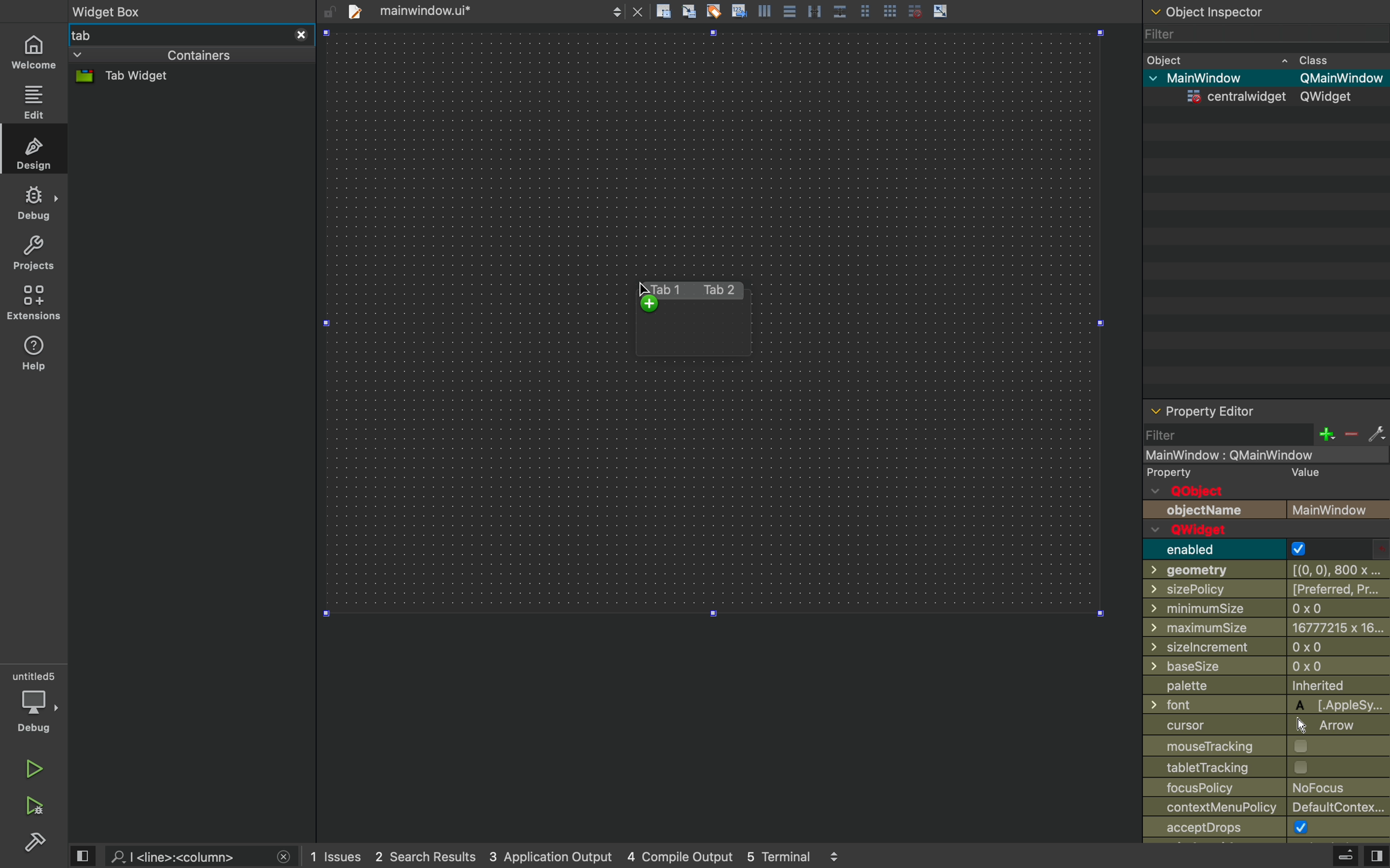 This screenshot has height=868, width=1390. What do you see at coordinates (175, 34) in the screenshot?
I see `tab` at bounding box center [175, 34].